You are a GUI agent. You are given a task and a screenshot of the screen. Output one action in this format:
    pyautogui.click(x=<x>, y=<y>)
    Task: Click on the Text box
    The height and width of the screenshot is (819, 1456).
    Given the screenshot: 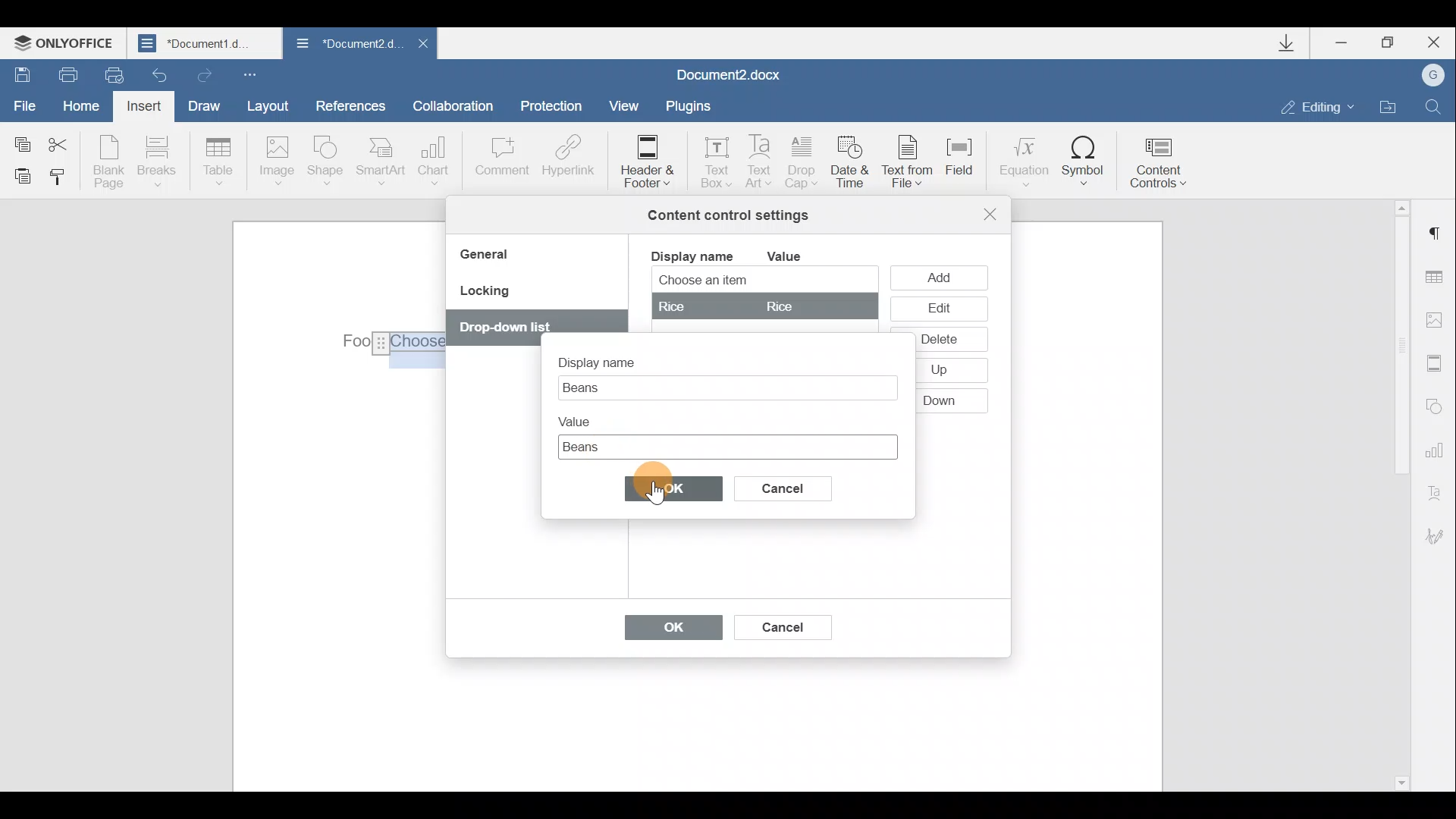 What is the action you would take?
    pyautogui.click(x=725, y=388)
    